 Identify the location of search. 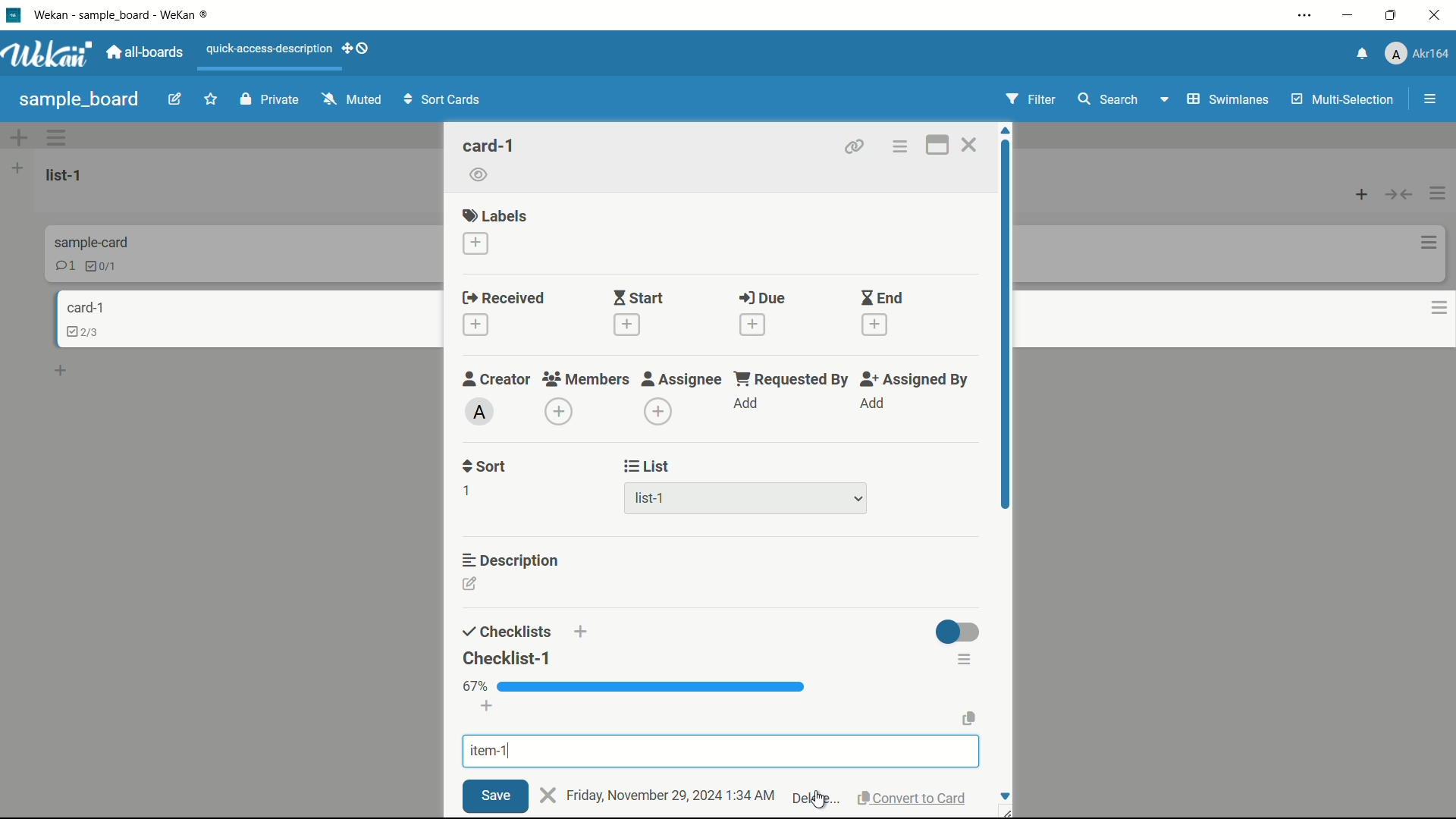
(1112, 101).